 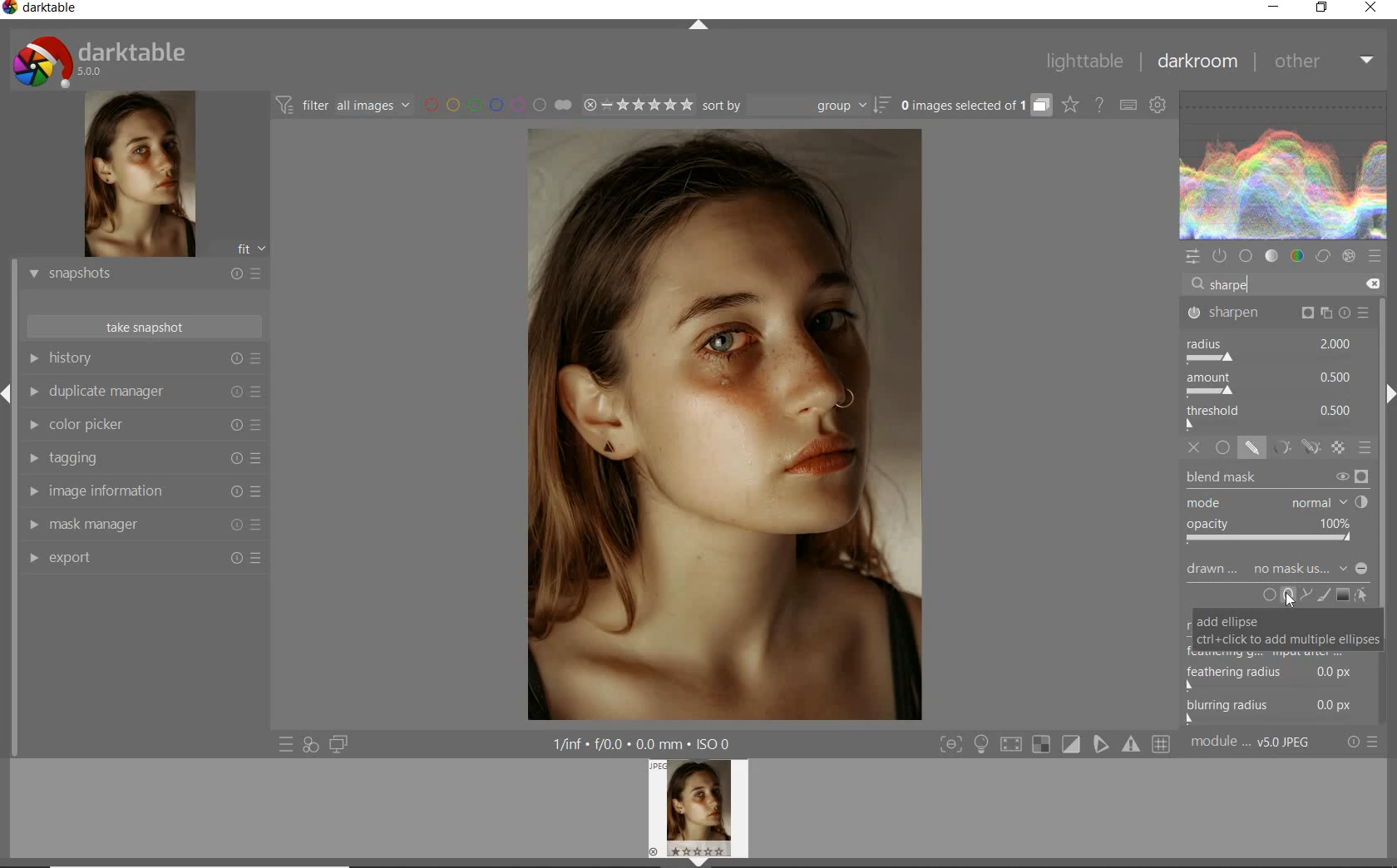 I want to click on OFF, so click(x=1195, y=447).